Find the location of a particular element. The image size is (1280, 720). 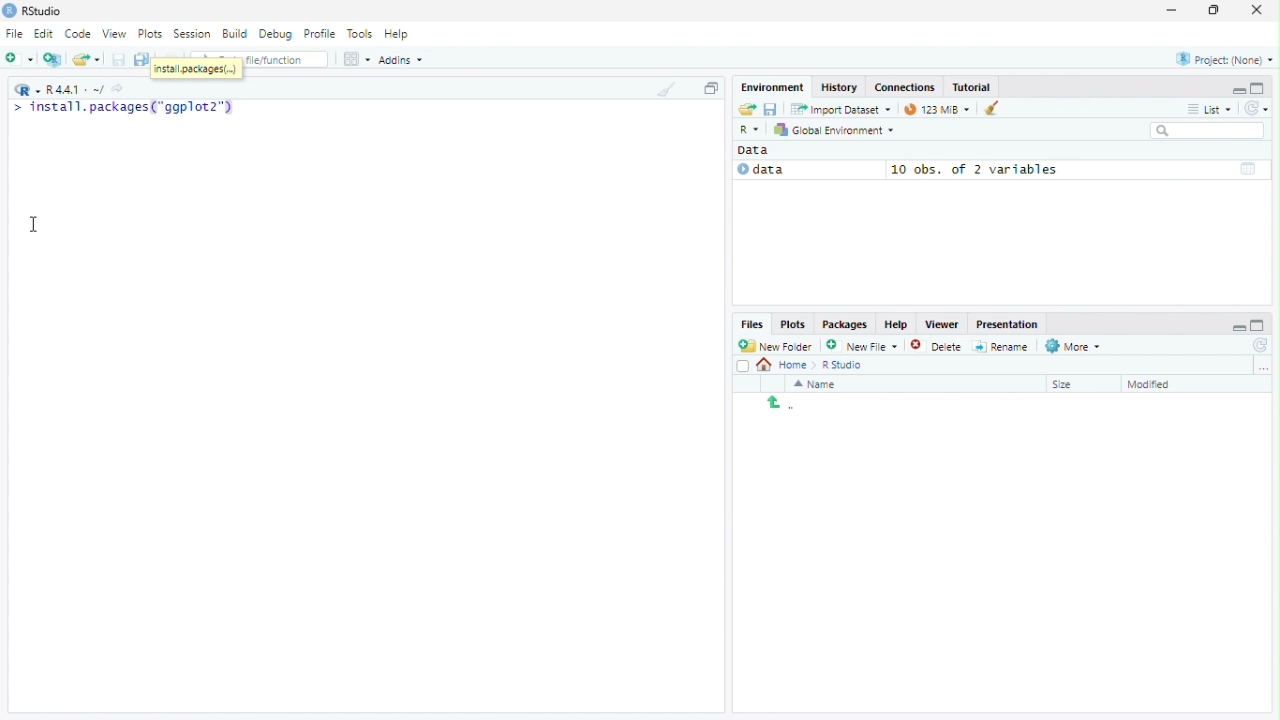

Plots is located at coordinates (792, 325).